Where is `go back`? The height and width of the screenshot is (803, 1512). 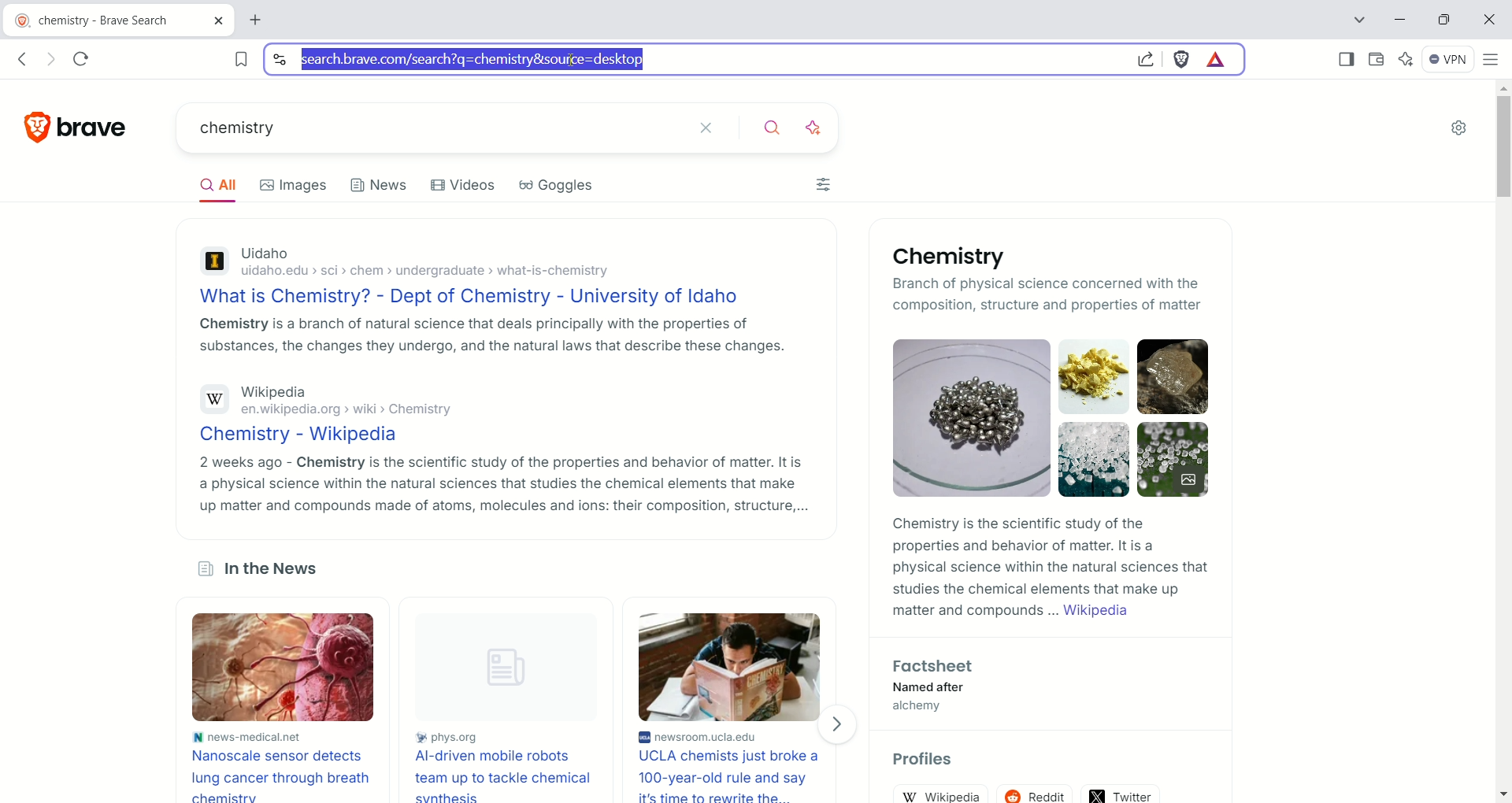
go back is located at coordinates (24, 58).